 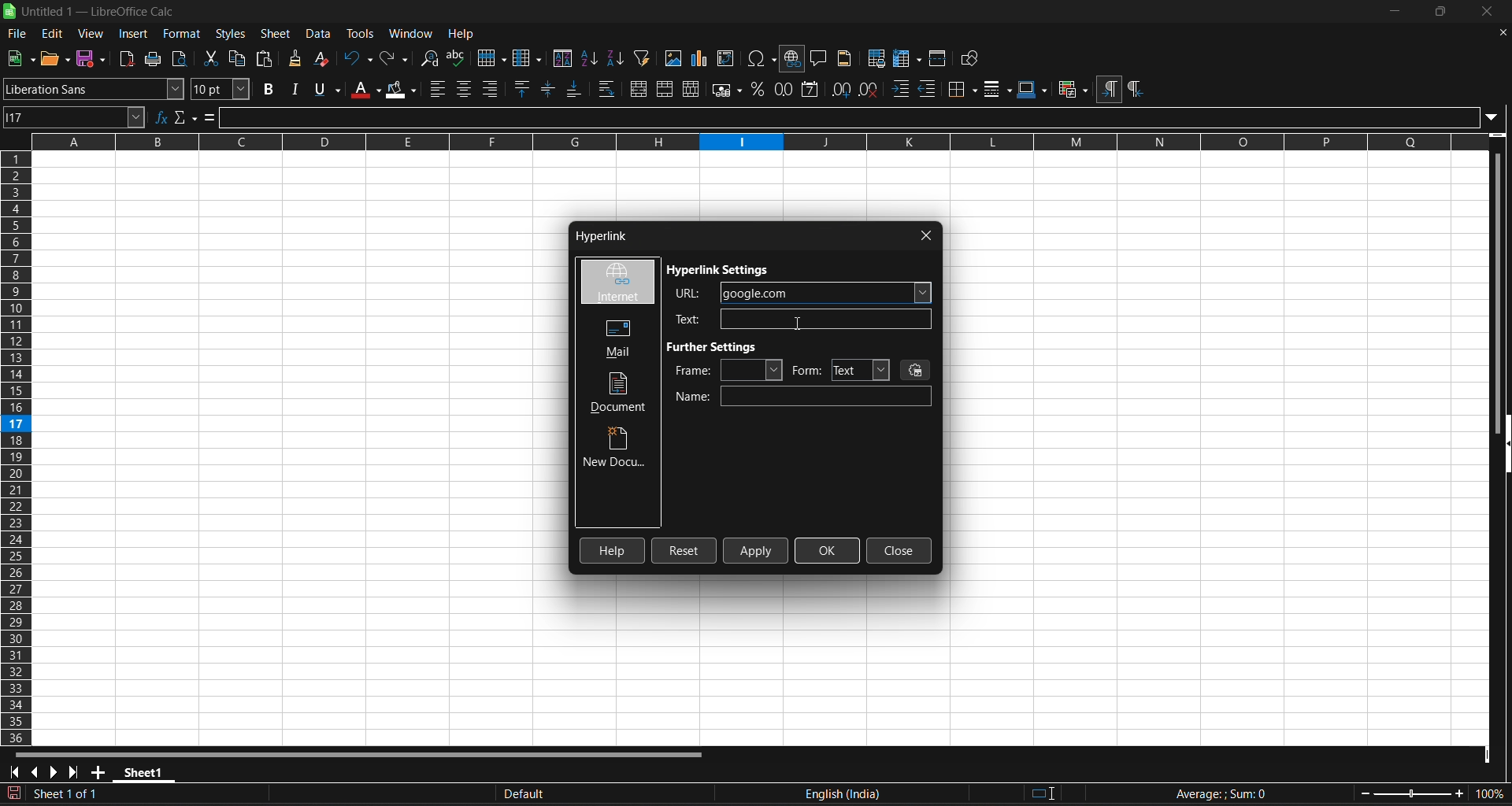 What do you see at coordinates (295, 88) in the screenshot?
I see `italic` at bounding box center [295, 88].